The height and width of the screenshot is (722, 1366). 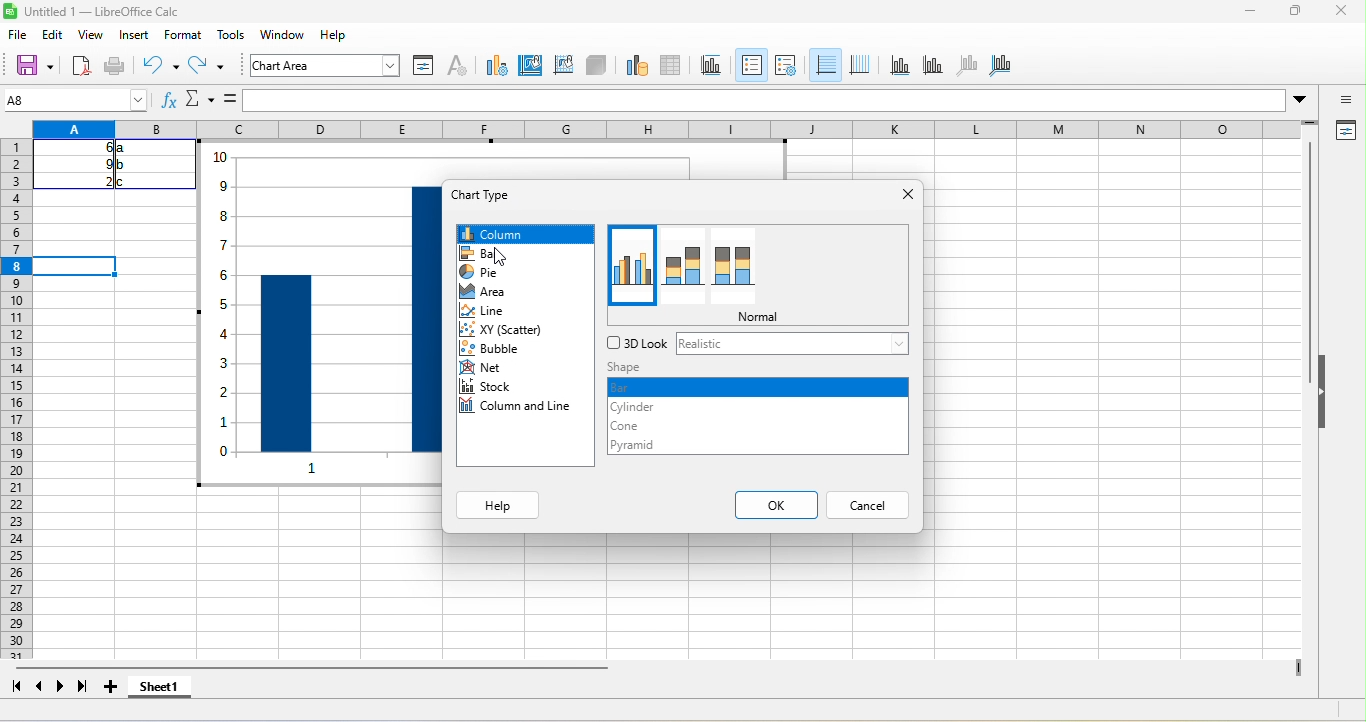 What do you see at coordinates (645, 407) in the screenshot?
I see `cylinder` at bounding box center [645, 407].